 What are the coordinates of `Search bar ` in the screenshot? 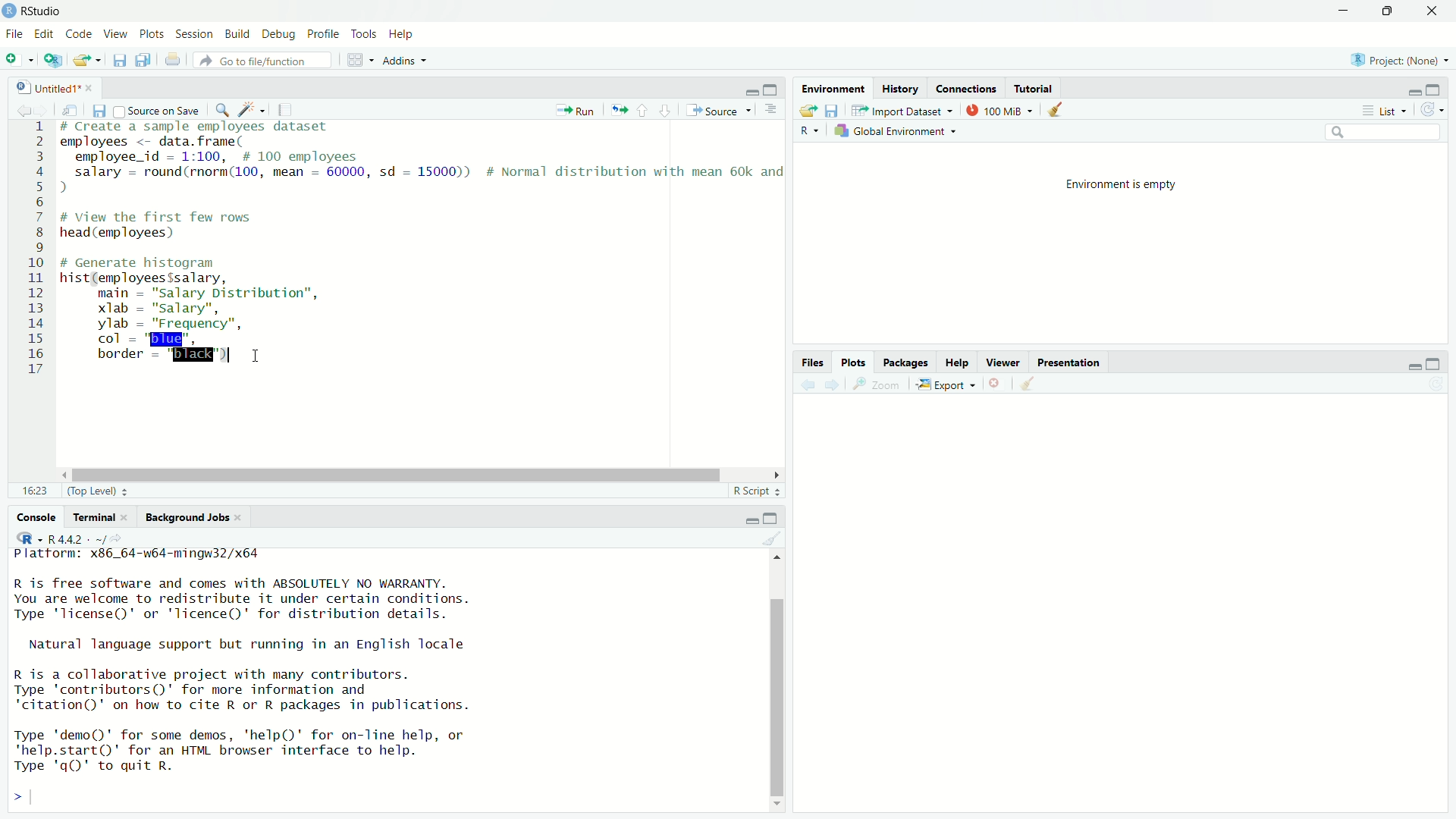 It's located at (1382, 132).